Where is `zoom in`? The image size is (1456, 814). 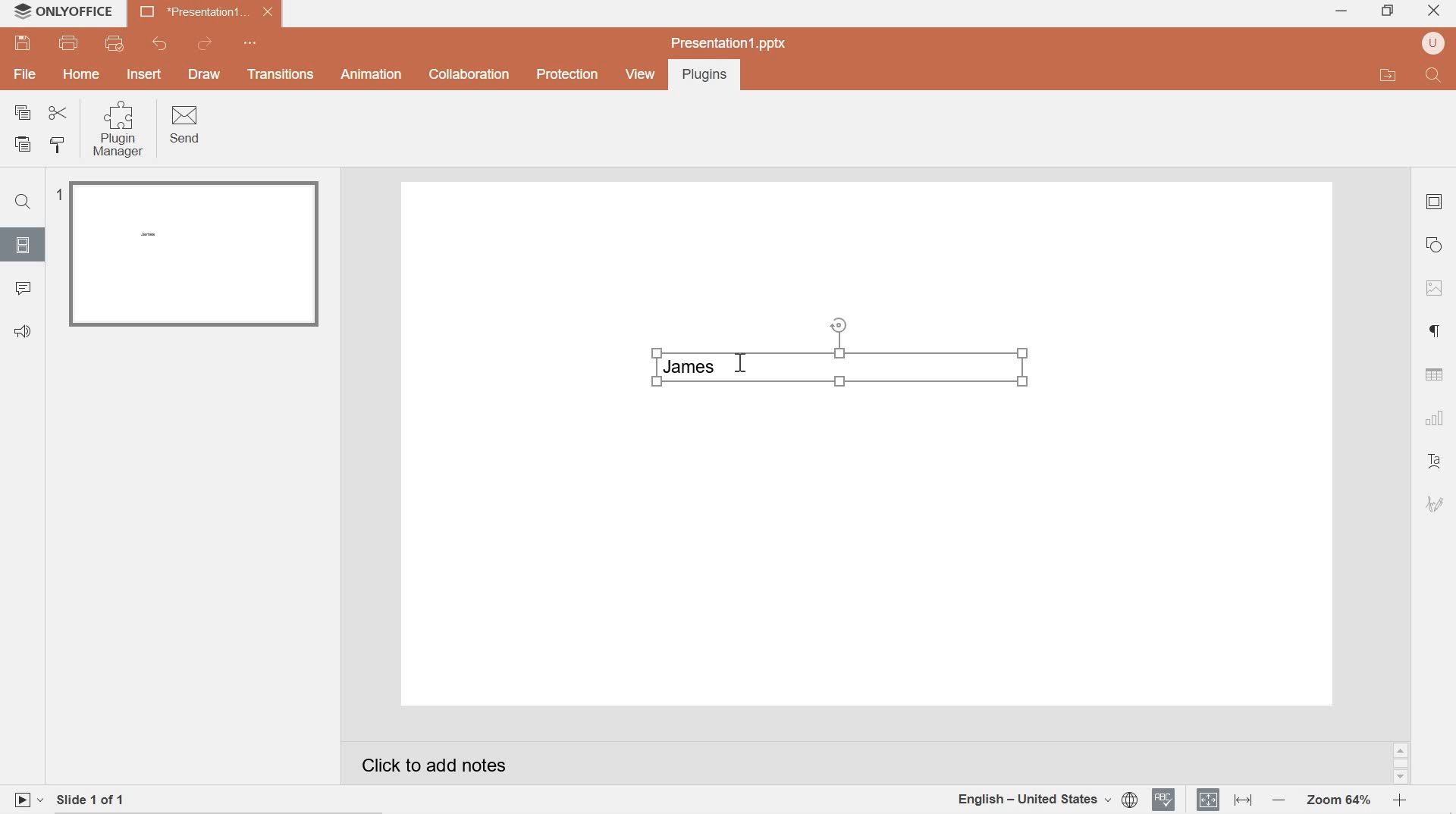 zoom in is located at coordinates (1398, 800).